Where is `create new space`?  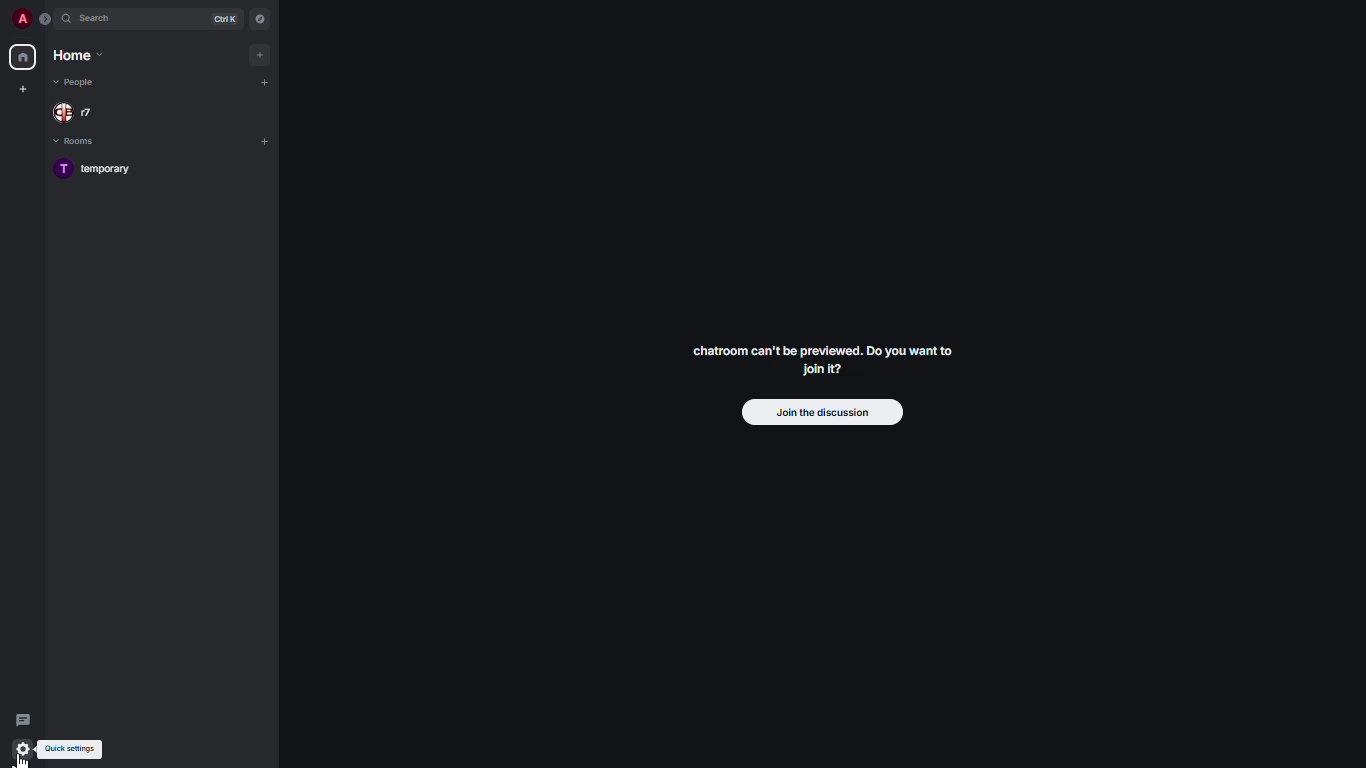 create new space is located at coordinates (23, 88).